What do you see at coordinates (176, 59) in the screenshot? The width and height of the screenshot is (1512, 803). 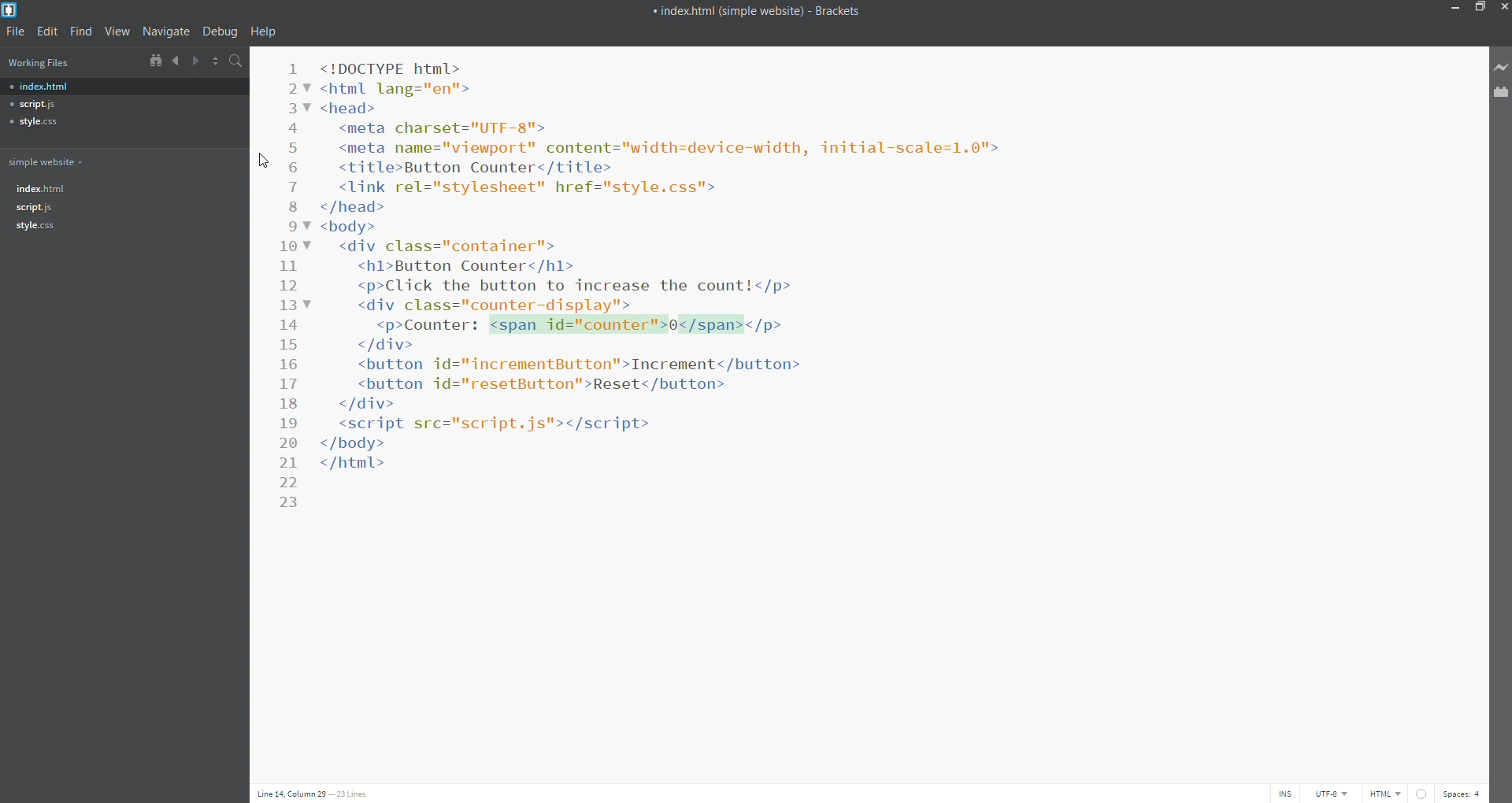 I see `navigate backward` at bounding box center [176, 59].